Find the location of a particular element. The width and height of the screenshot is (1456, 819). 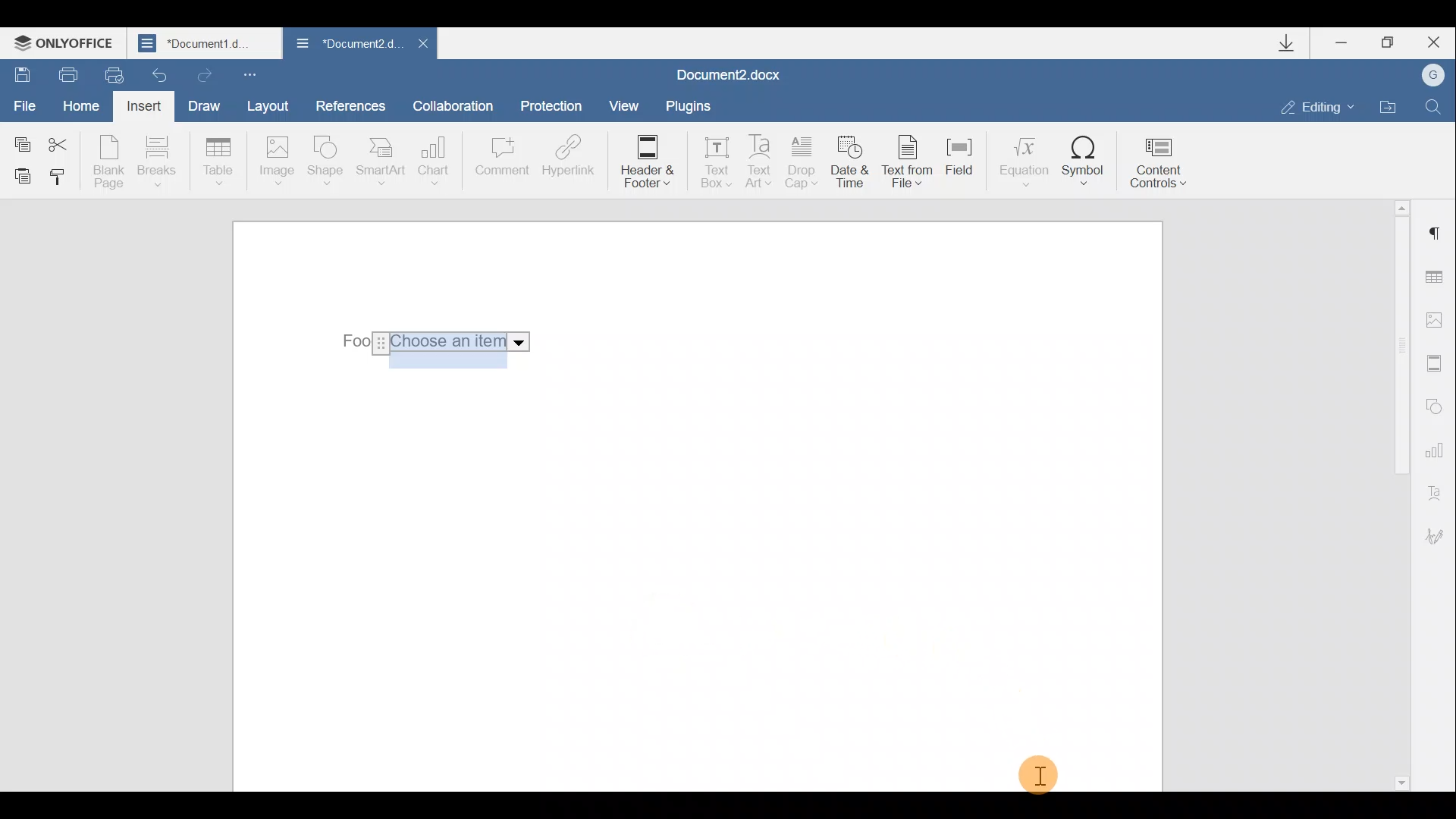

Comment is located at coordinates (501, 164).